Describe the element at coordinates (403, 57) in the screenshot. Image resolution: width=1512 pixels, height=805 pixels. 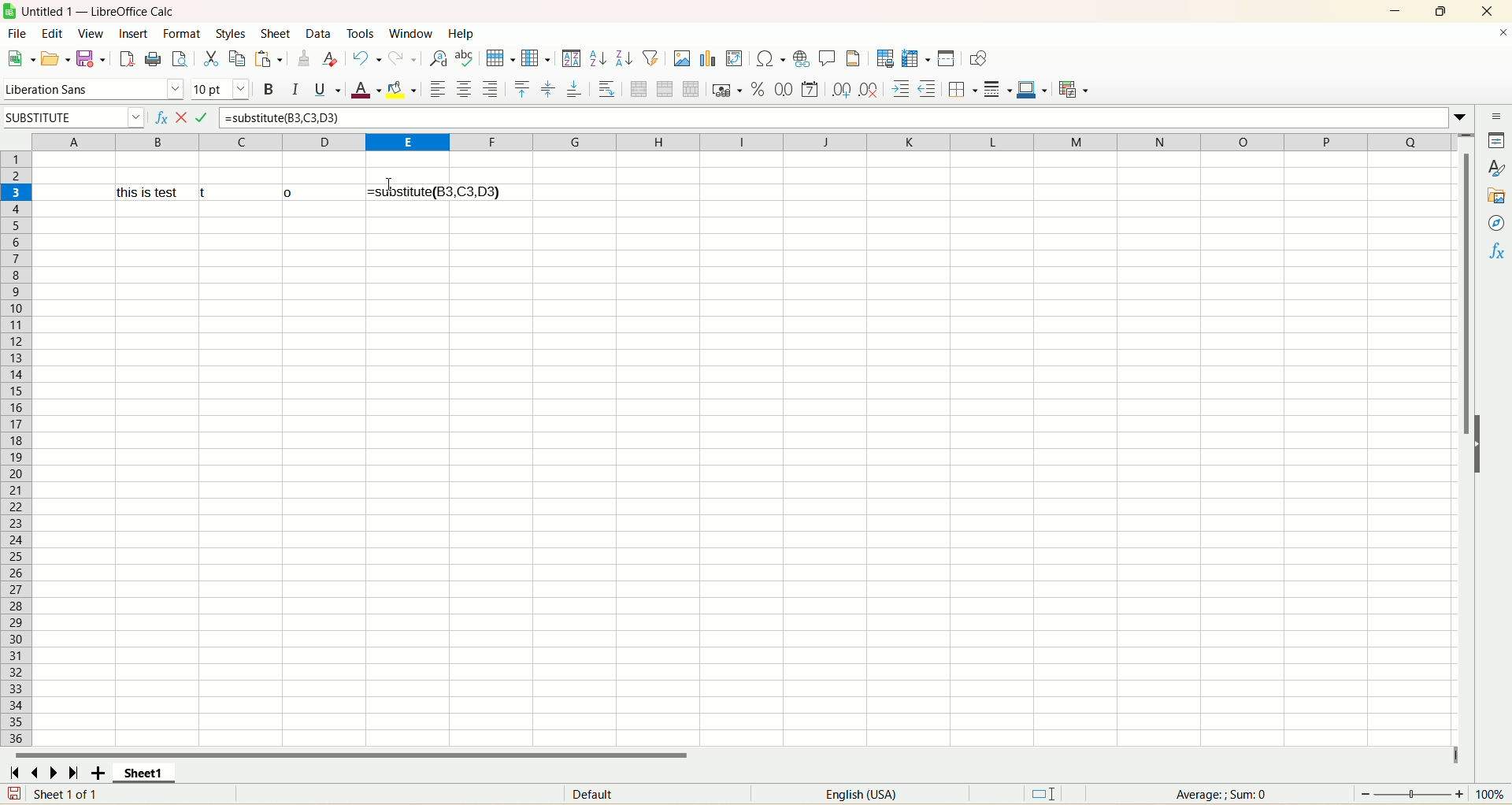
I see `redo` at that location.